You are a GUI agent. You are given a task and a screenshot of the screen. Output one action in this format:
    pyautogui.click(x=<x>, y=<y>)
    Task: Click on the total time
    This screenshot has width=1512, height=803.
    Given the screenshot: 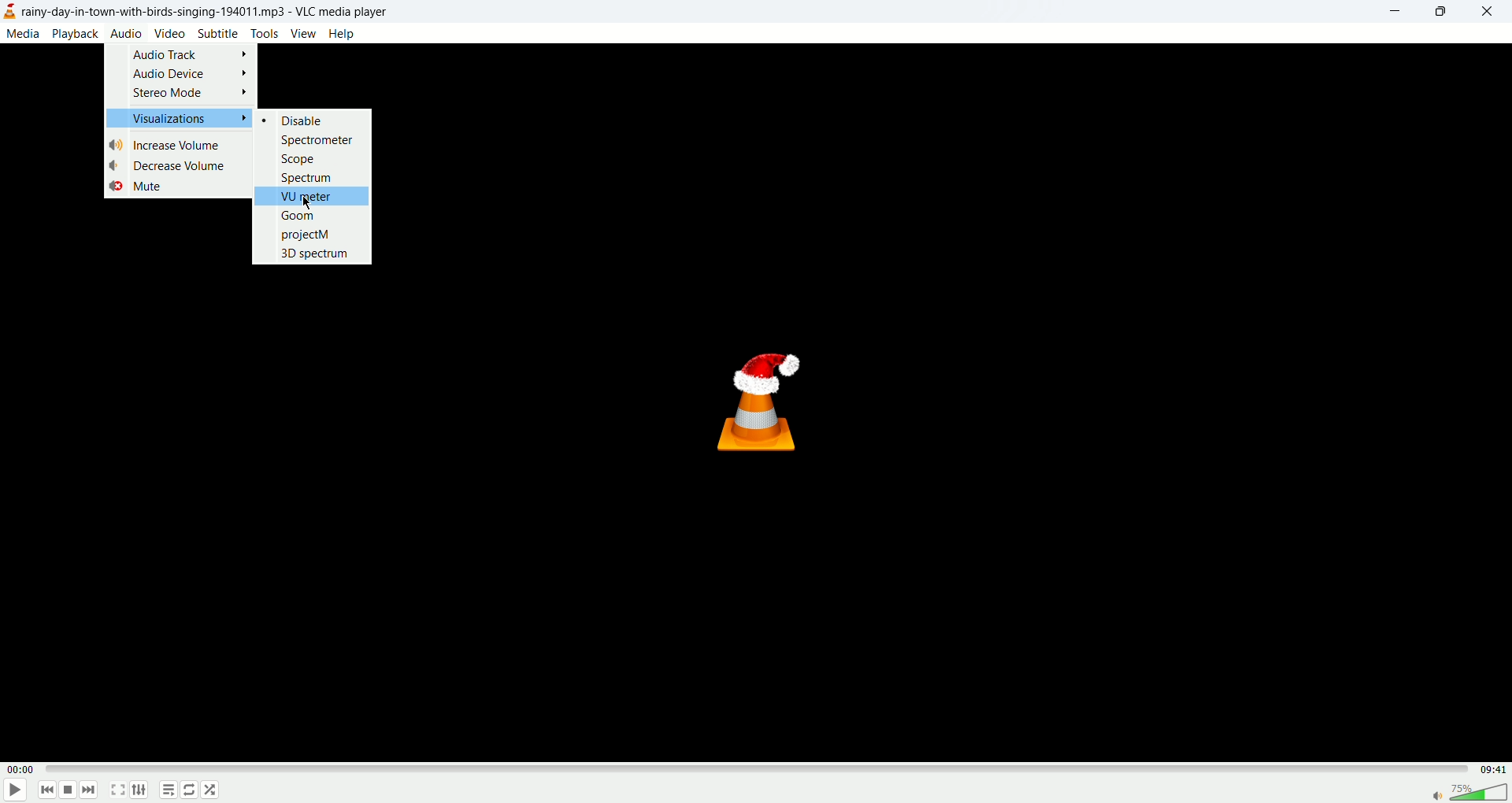 What is the action you would take?
    pyautogui.click(x=1490, y=769)
    